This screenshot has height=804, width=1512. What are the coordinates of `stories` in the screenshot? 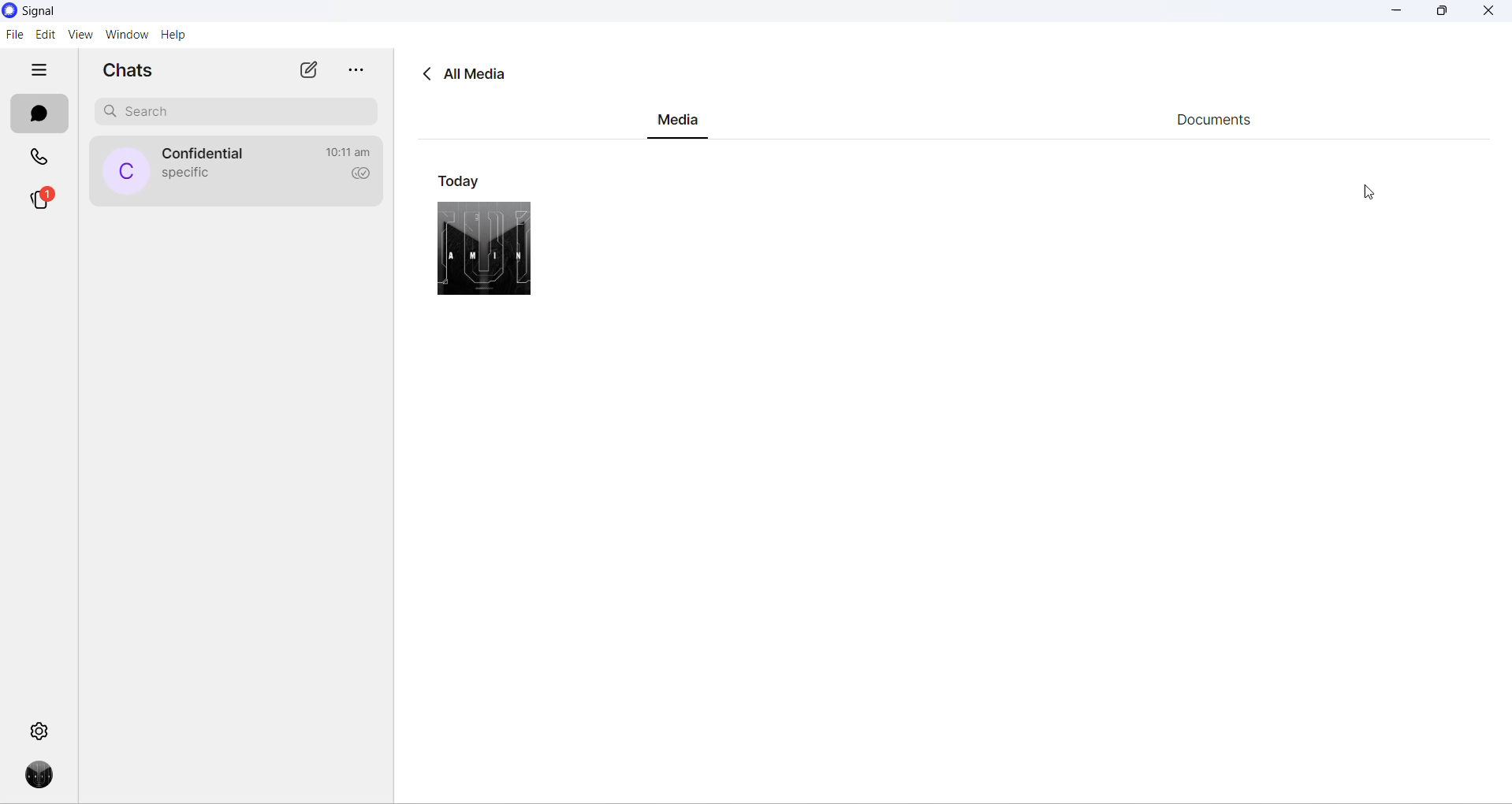 It's located at (42, 204).